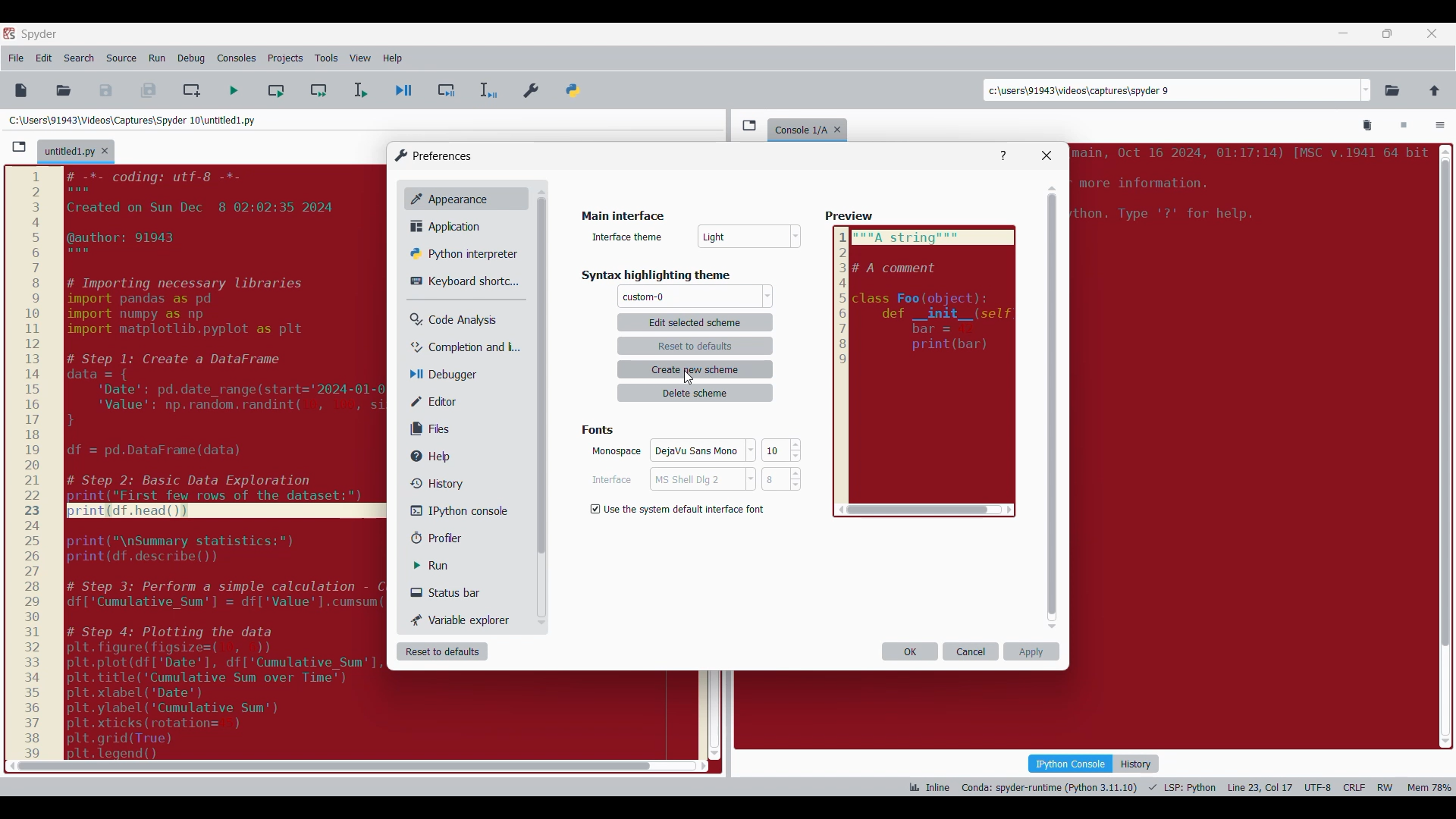  I want to click on Change to parent directory, so click(1435, 90).